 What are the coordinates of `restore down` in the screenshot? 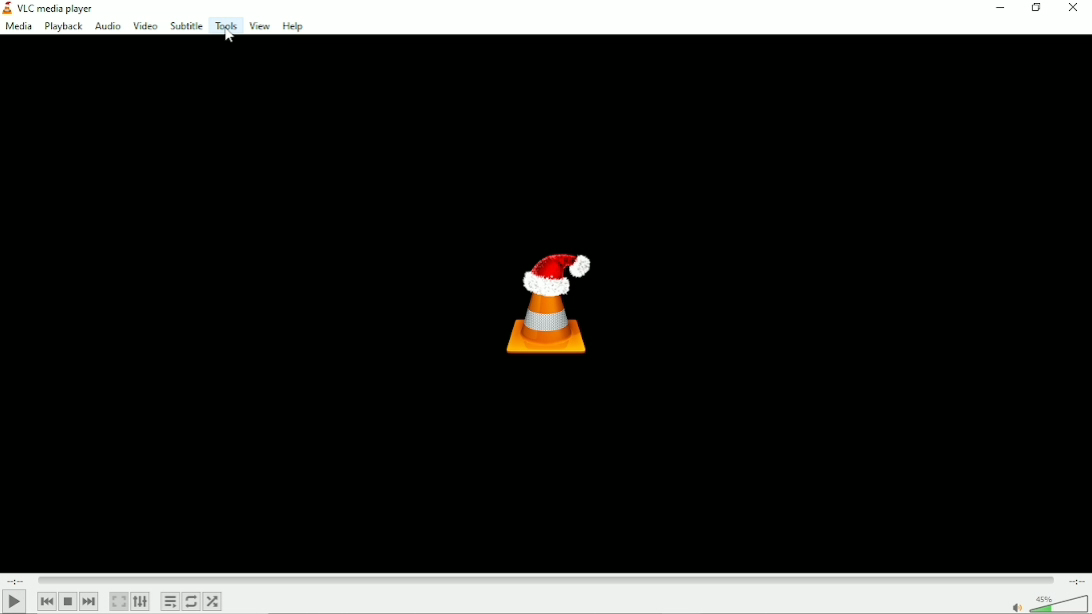 It's located at (1036, 9).